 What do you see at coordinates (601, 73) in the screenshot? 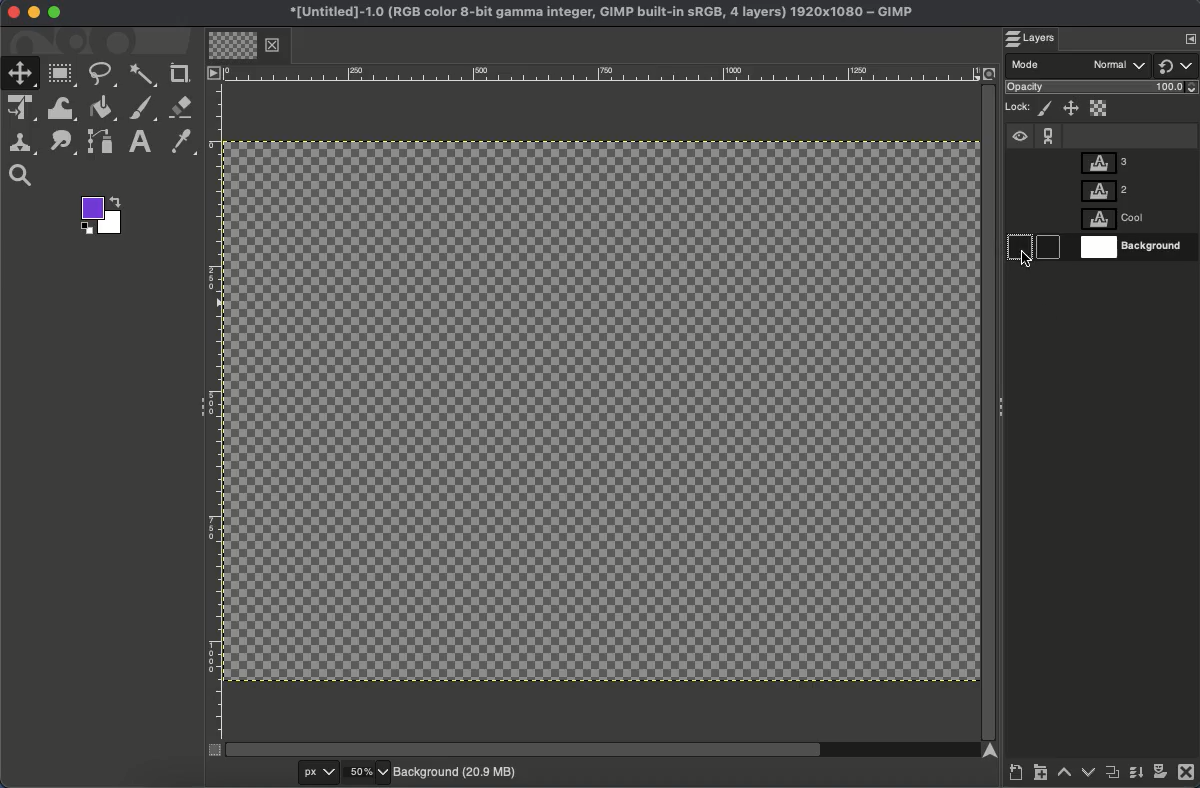
I see `Ruler` at bounding box center [601, 73].